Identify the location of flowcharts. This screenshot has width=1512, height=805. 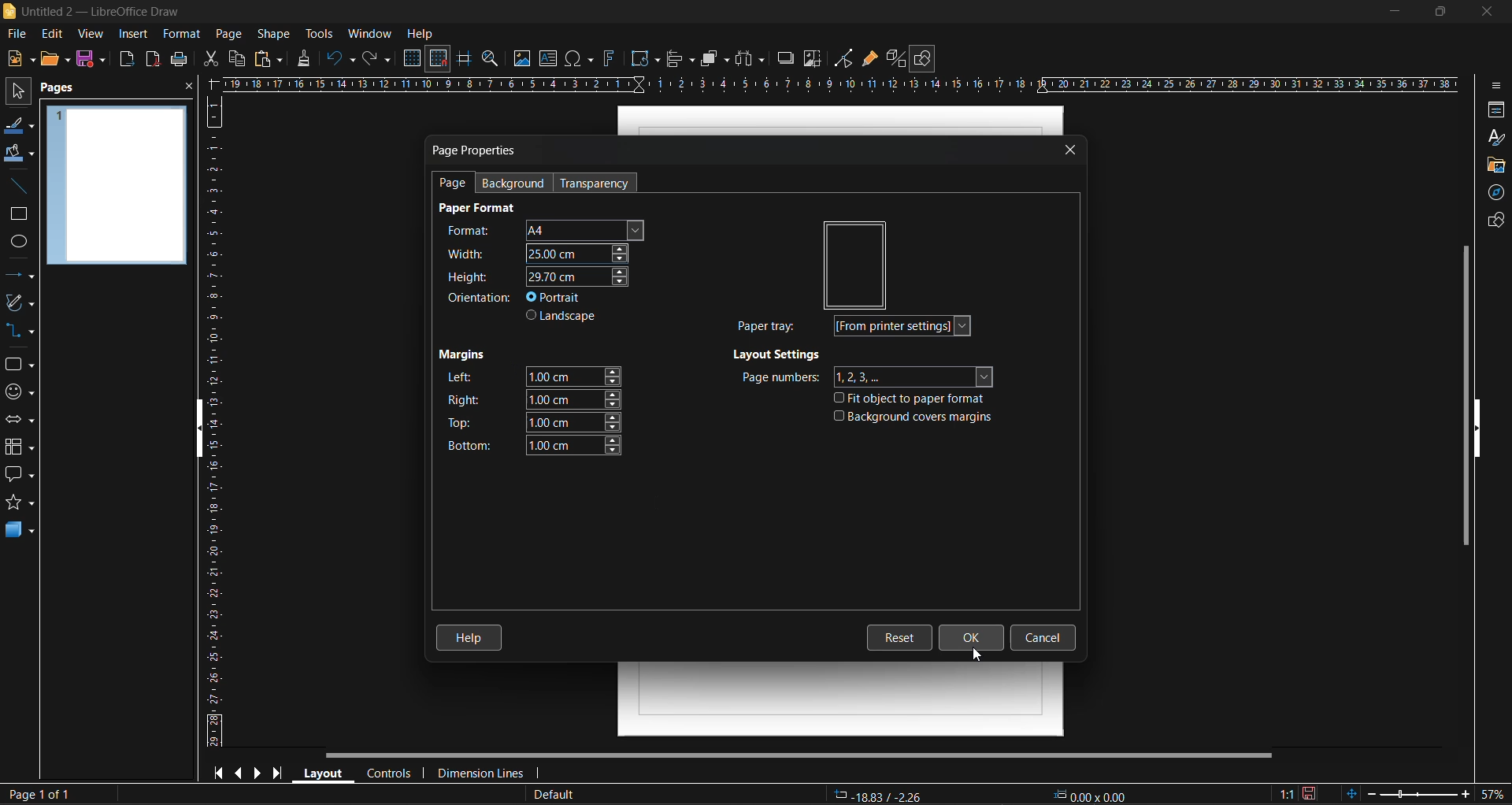
(24, 447).